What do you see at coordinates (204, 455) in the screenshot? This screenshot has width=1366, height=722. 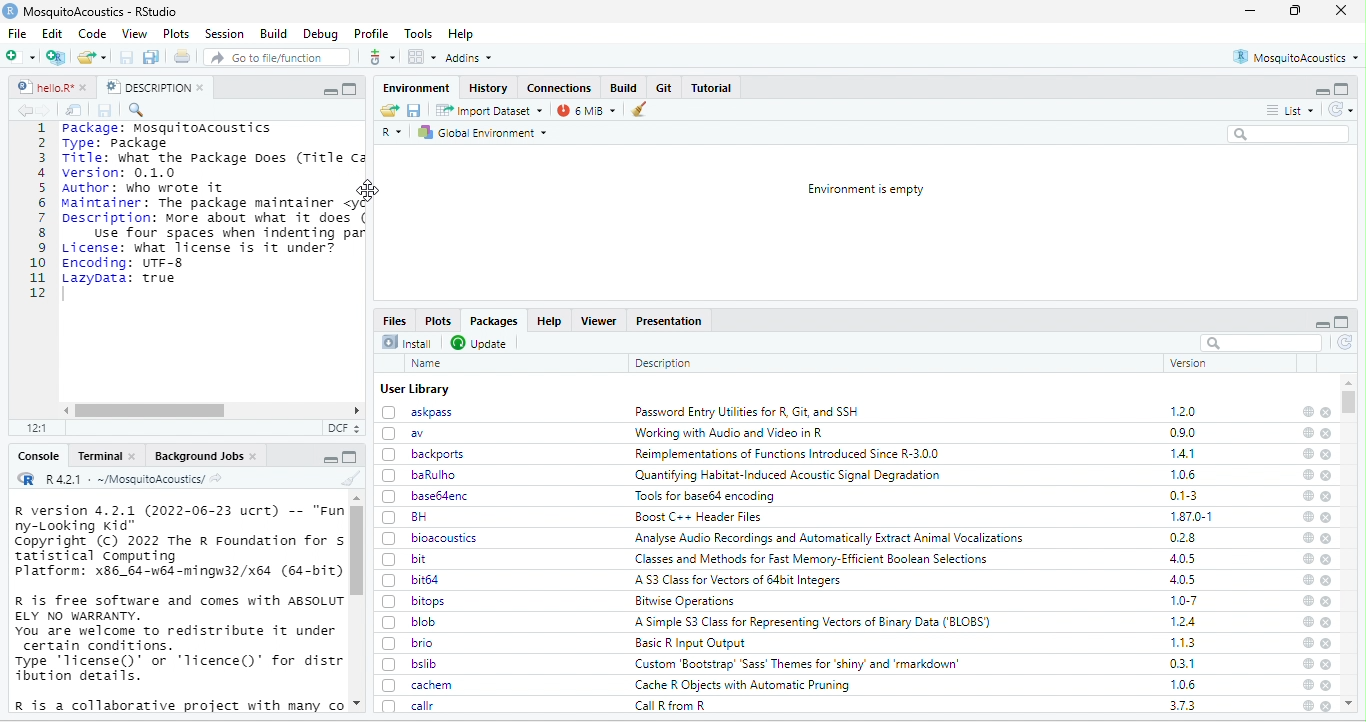 I see `Background Jobs` at bounding box center [204, 455].